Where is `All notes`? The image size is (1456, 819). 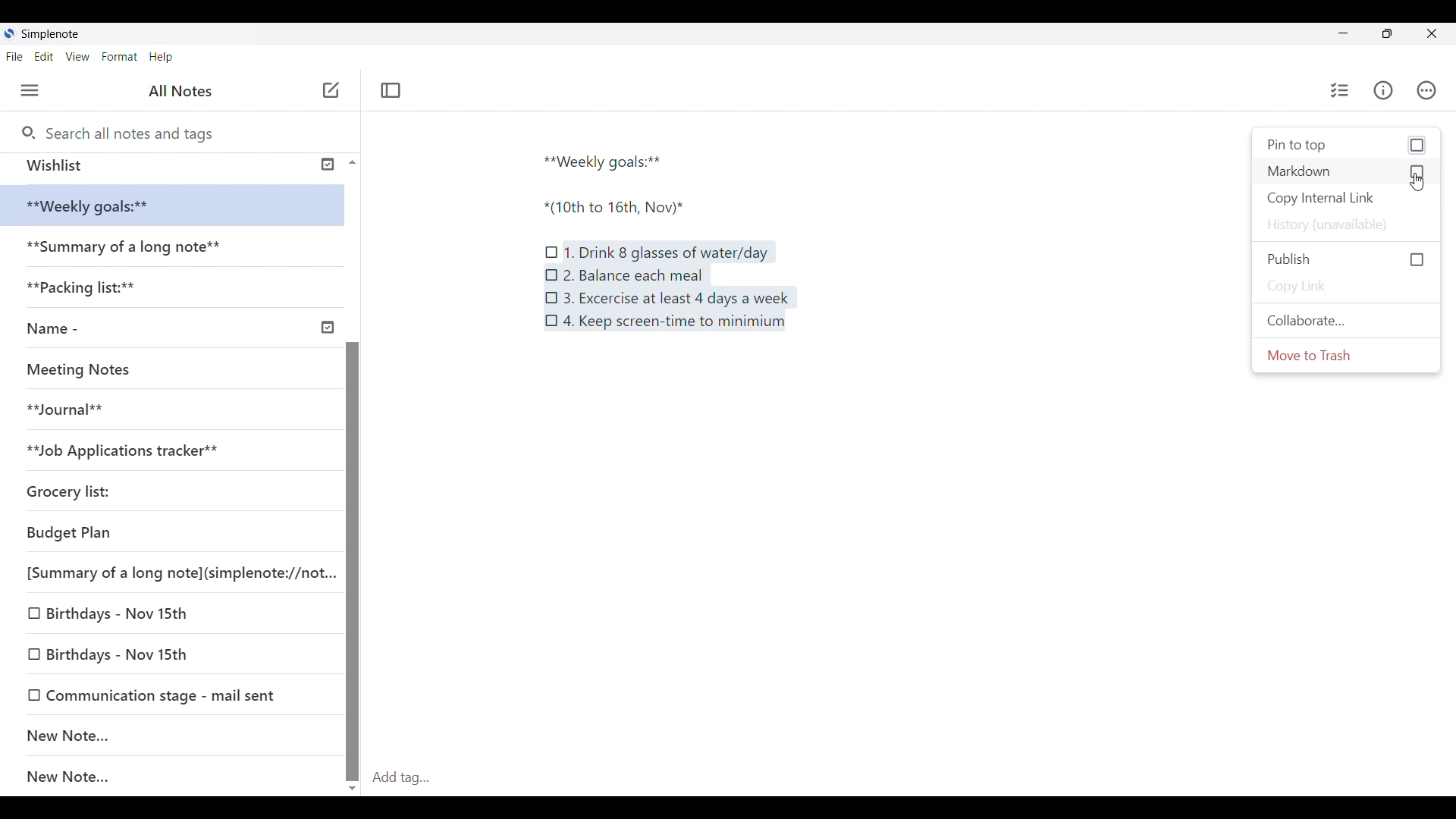
All notes is located at coordinates (184, 91).